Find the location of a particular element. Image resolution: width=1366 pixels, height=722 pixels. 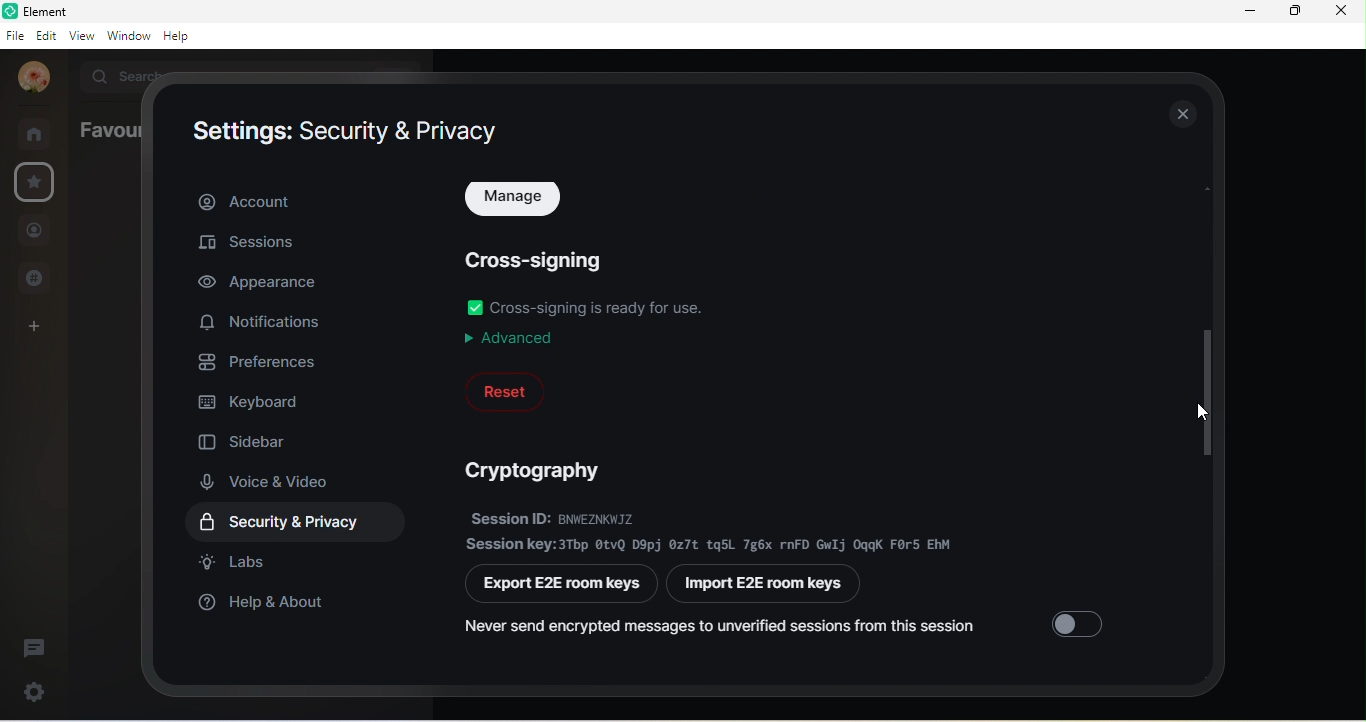

window is located at coordinates (130, 37).